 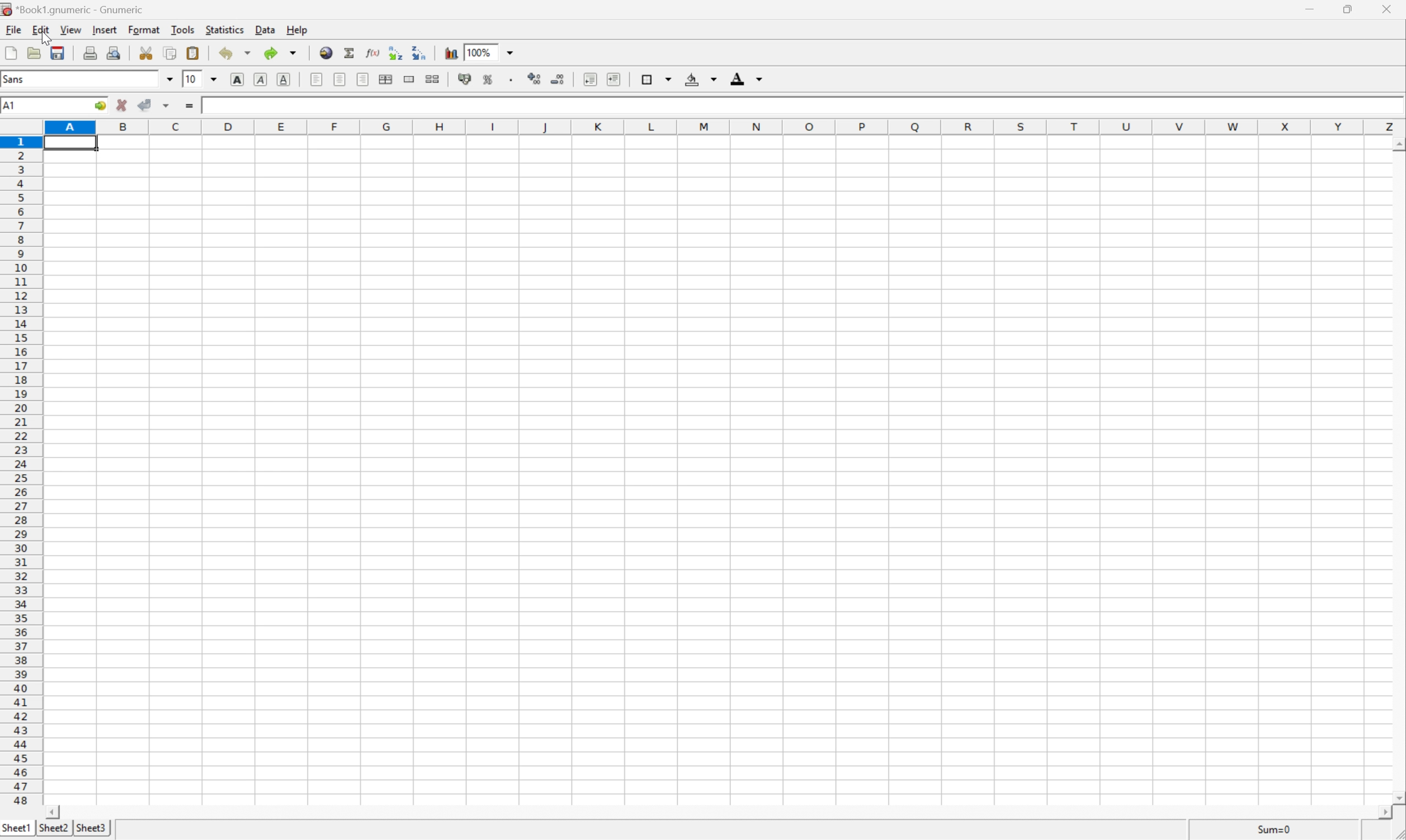 I want to click on Sort the selected region in ascending order based on the first column selected, so click(x=395, y=52).